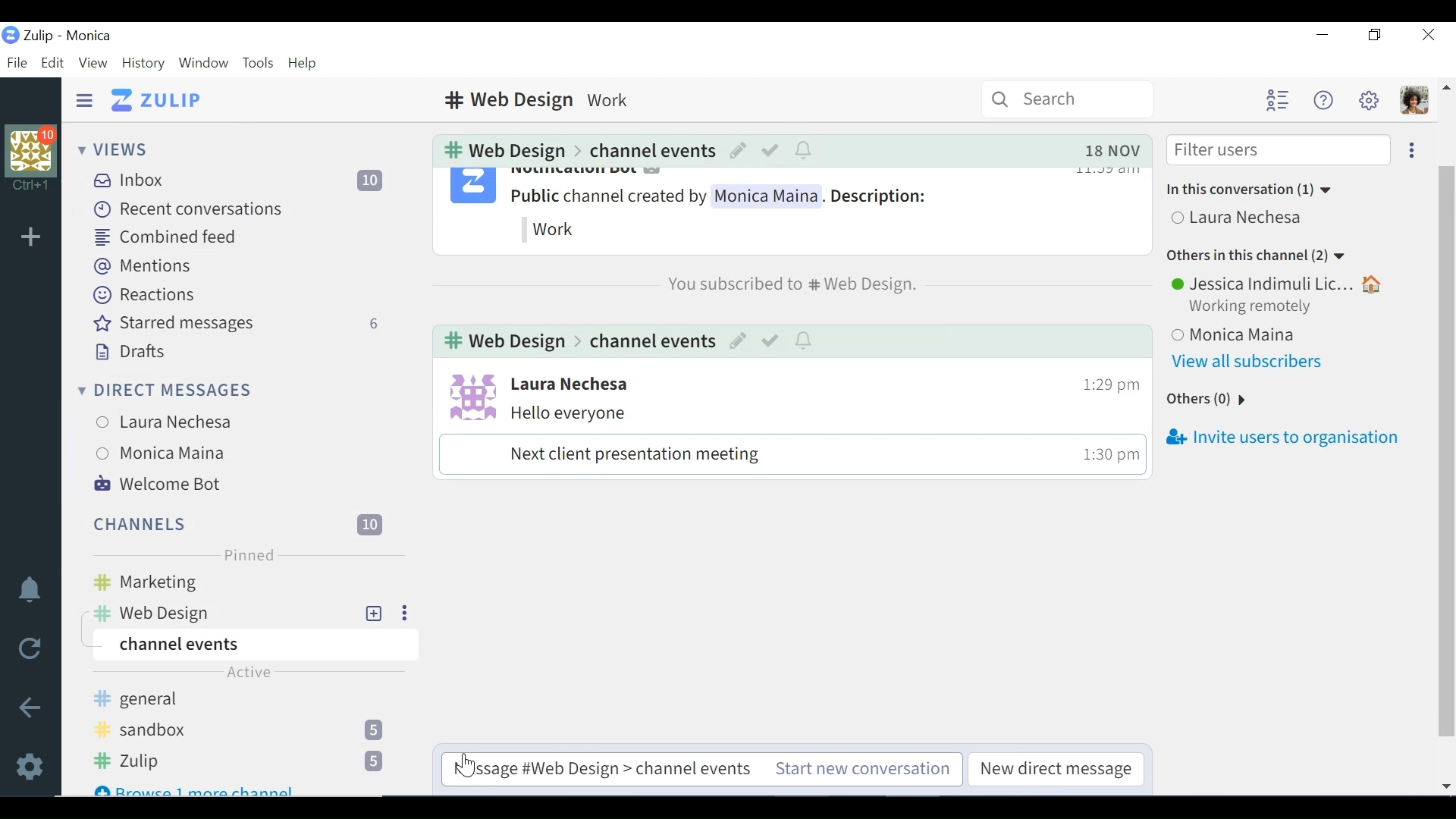 The height and width of the screenshot is (819, 1456). What do you see at coordinates (650, 149) in the screenshot?
I see `Channel events` at bounding box center [650, 149].